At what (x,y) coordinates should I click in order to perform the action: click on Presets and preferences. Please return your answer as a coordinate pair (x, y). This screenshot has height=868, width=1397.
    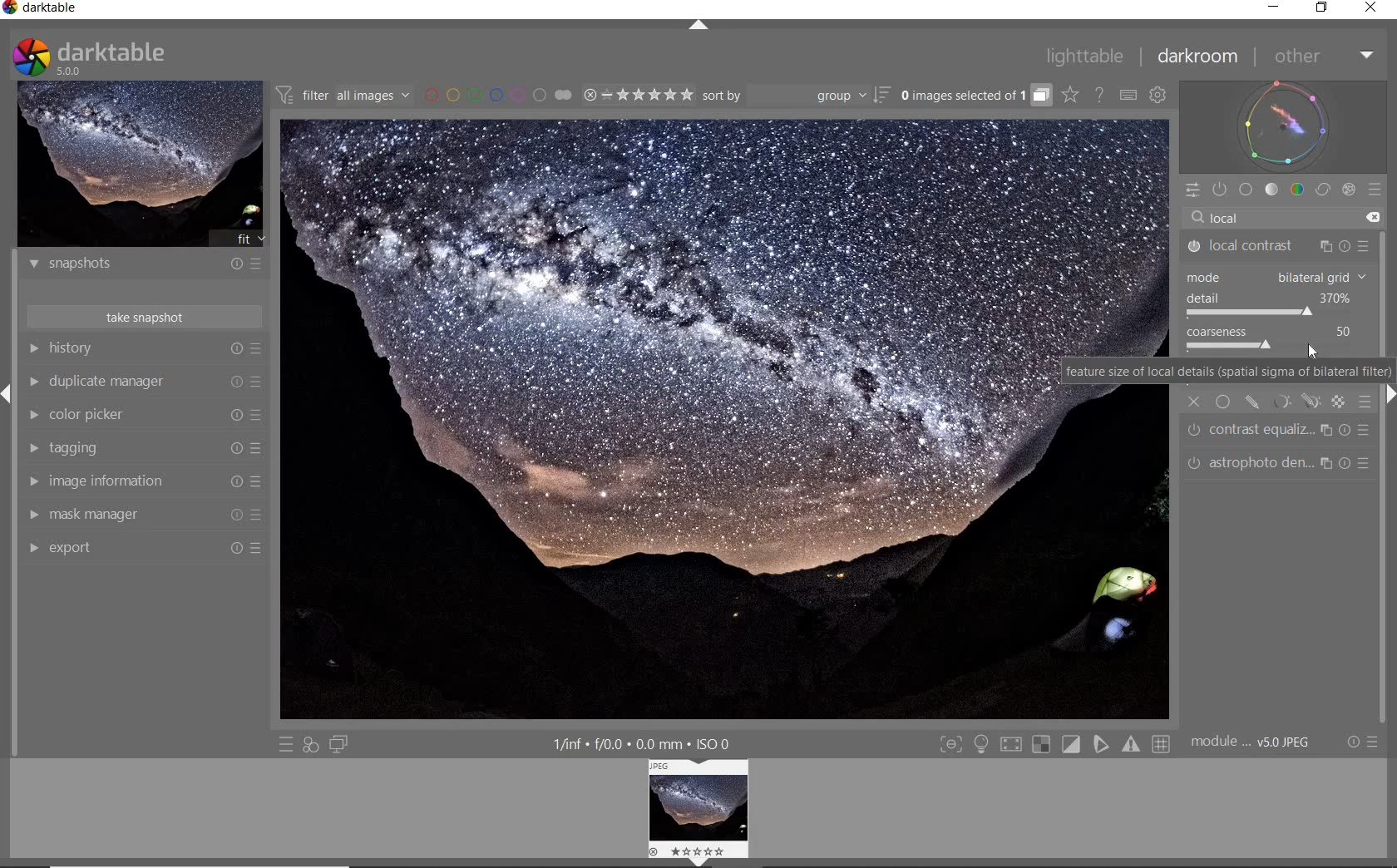
    Looking at the image, I should click on (259, 514).